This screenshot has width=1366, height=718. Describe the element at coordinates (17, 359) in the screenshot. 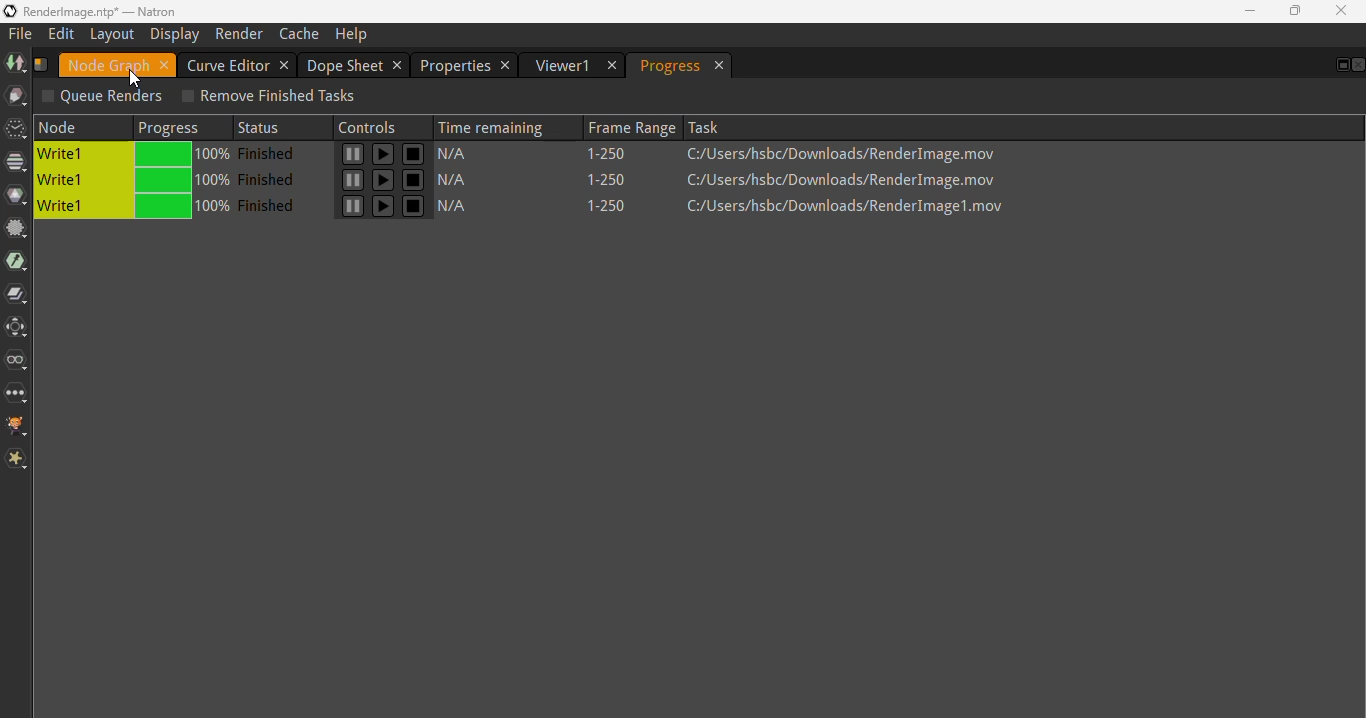

I see `views` at that location.